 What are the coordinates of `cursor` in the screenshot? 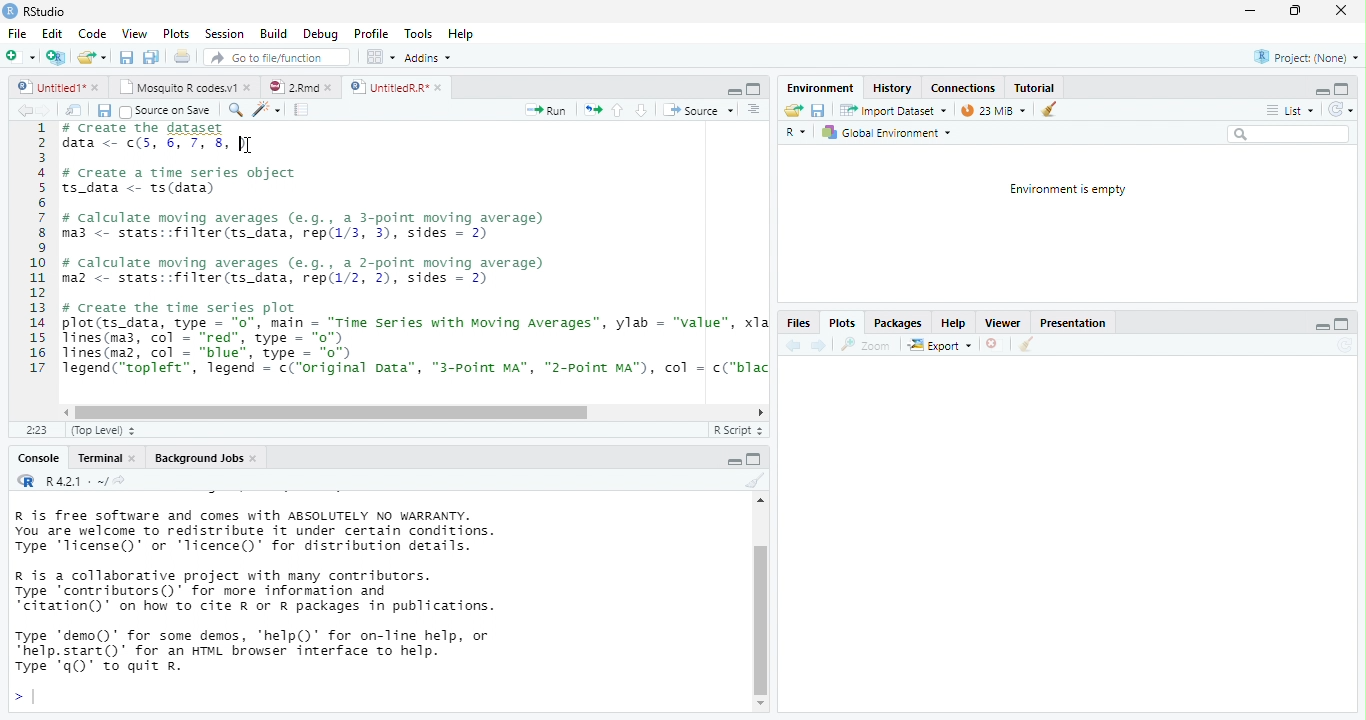 It's located at (250, 145).